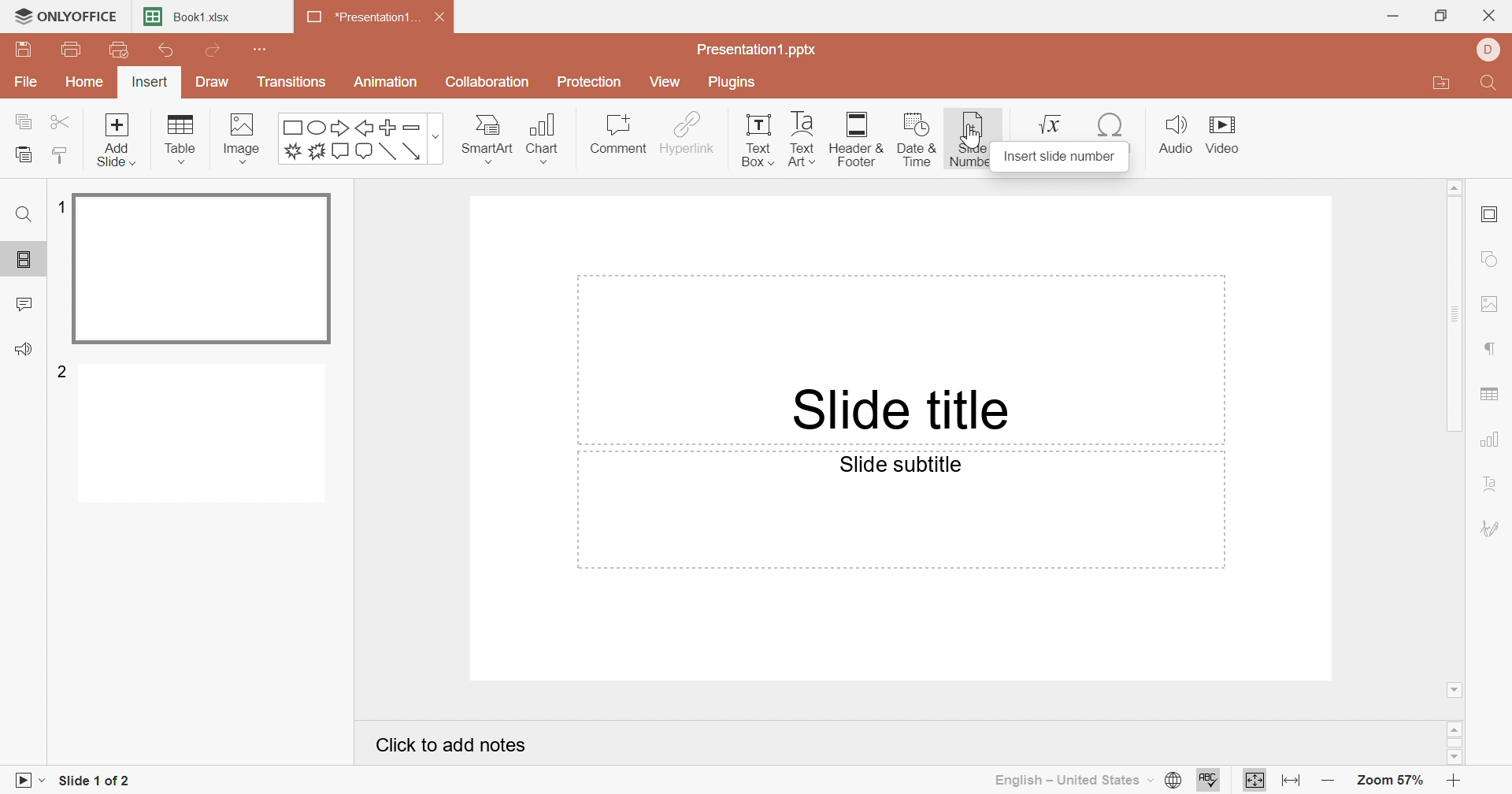  What do you see at coordinates (591, 84) in the screenshot?
I see `Protection` at bounding box center [591, 84].